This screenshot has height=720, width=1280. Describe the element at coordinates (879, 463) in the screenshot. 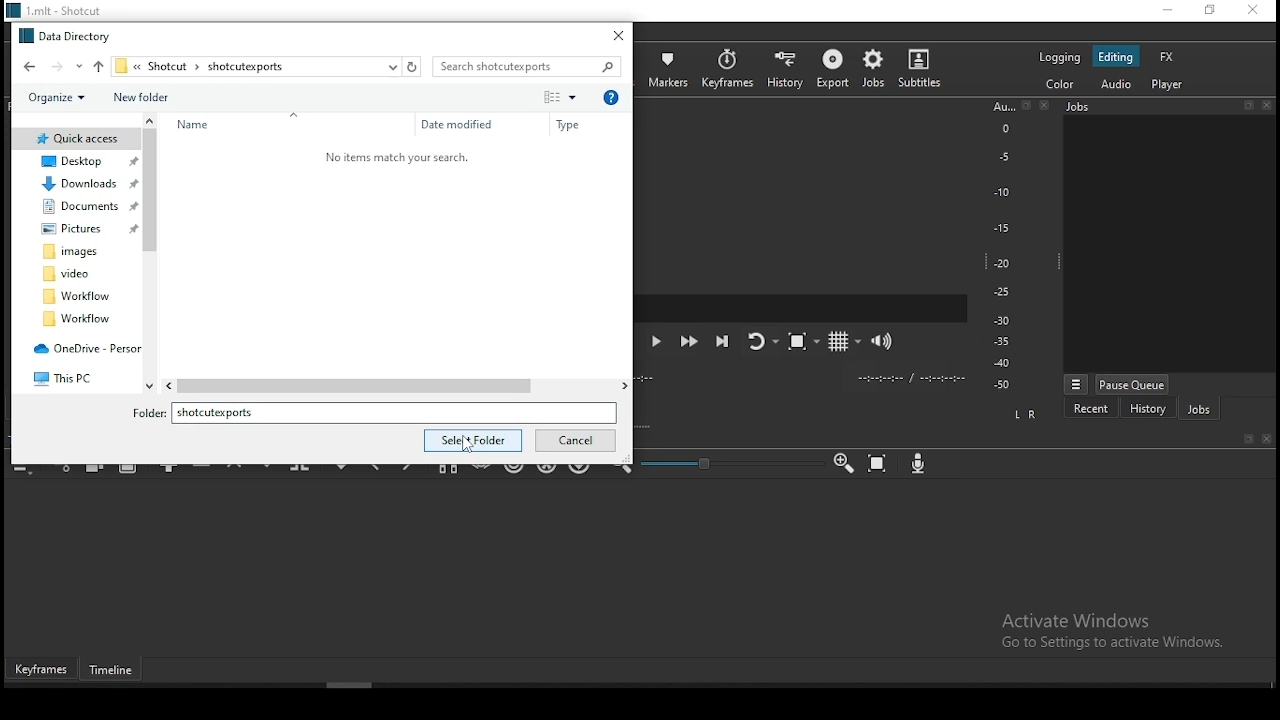

I see `zoom timeline to fit` at that location.